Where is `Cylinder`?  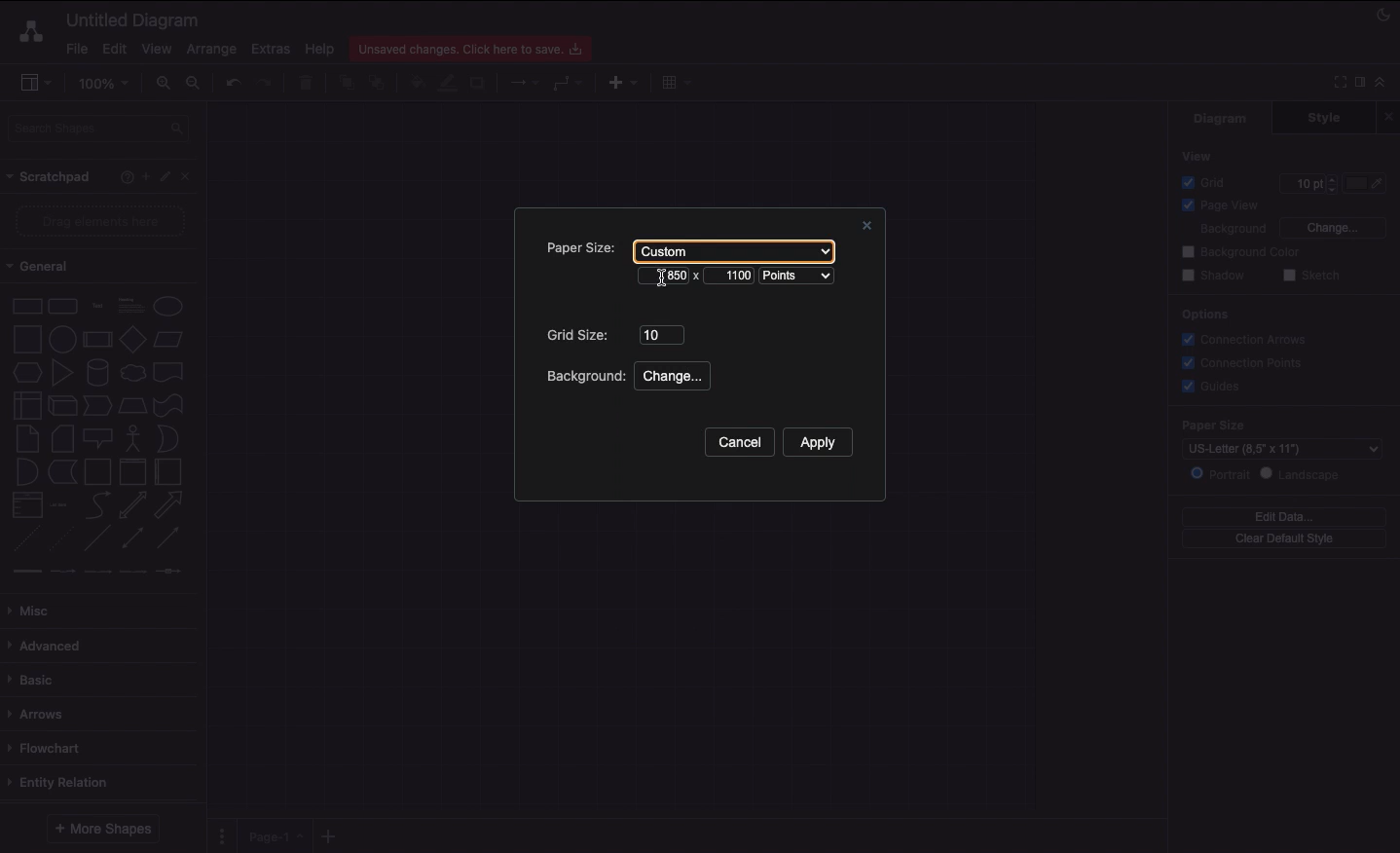
Cylinder is located at coordinates (97, 373).